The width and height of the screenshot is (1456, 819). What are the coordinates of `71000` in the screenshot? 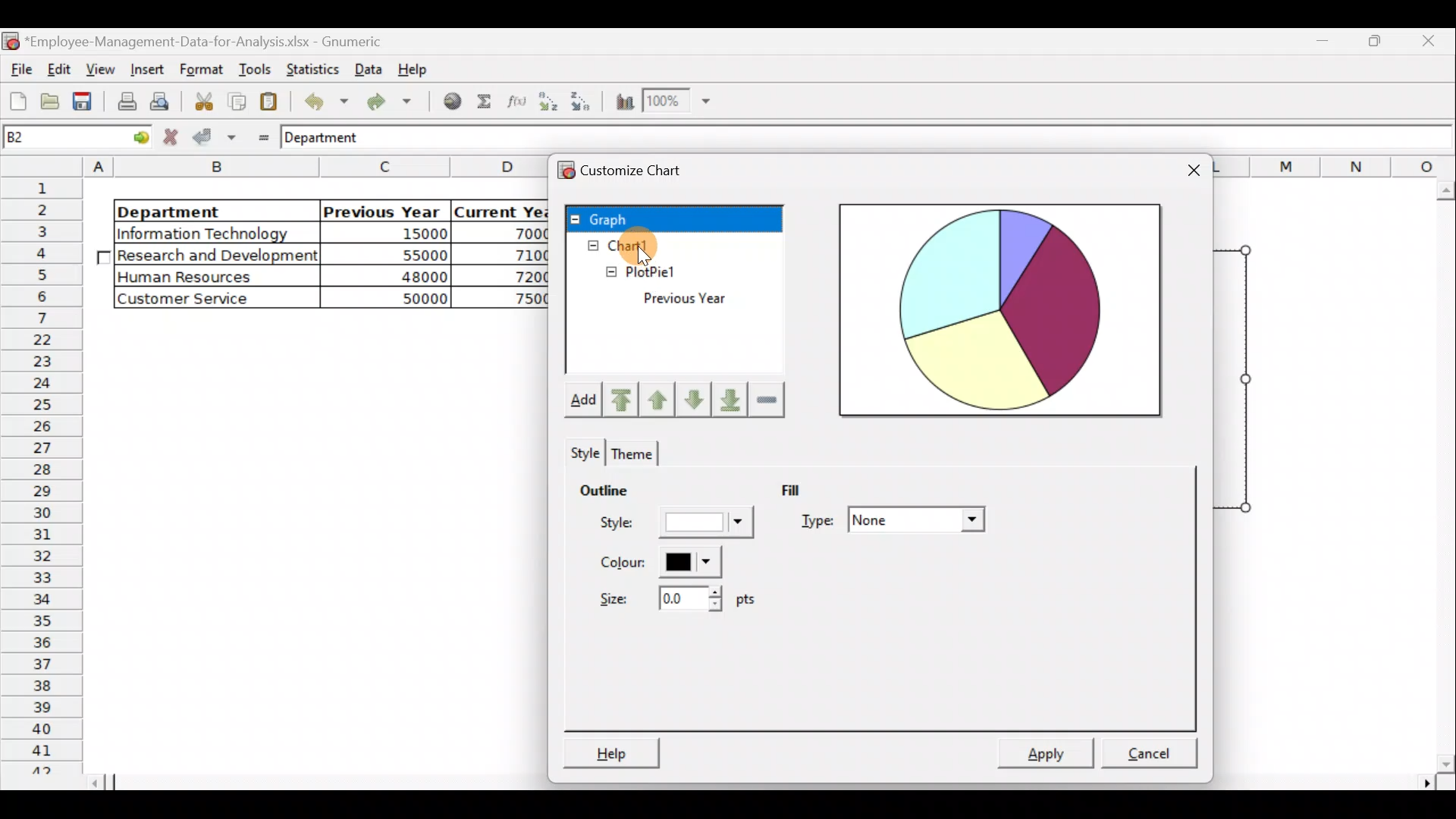 It's located at (519, 255).